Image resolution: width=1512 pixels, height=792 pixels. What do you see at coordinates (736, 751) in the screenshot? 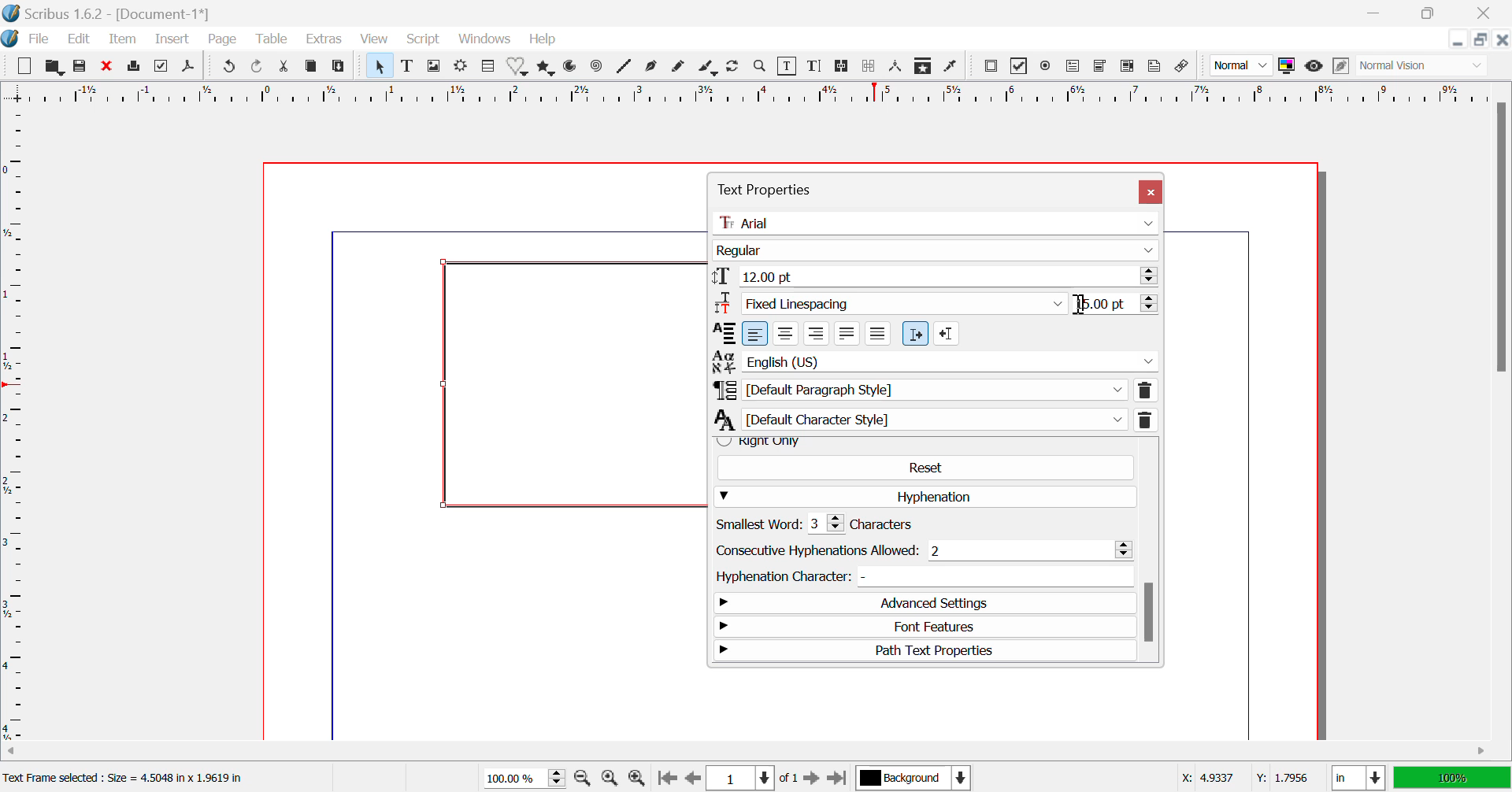
I see `Horizontal Scroll Bar` at bounding box center [736, 751].